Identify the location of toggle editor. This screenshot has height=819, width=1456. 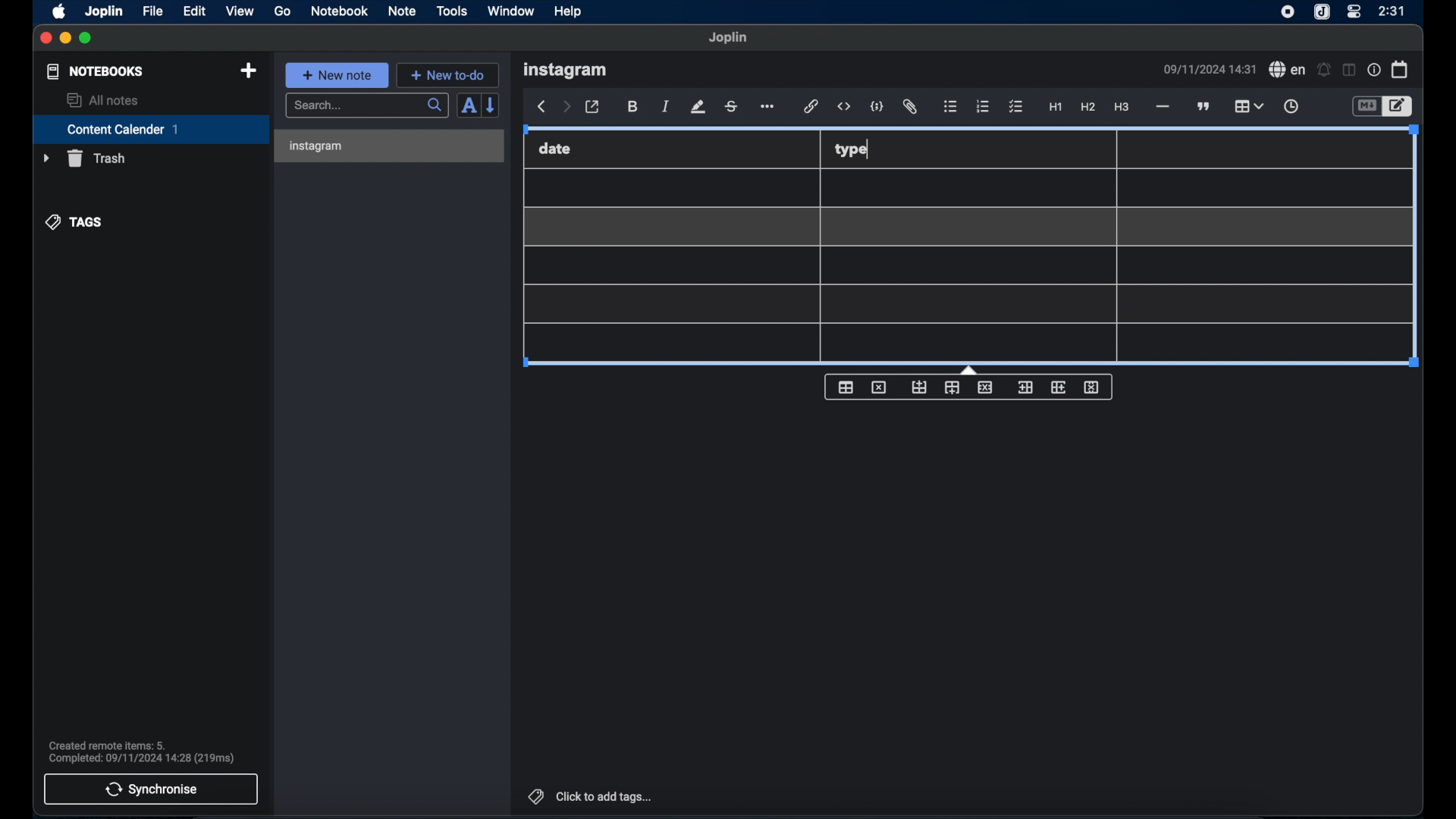
(1365, 105).